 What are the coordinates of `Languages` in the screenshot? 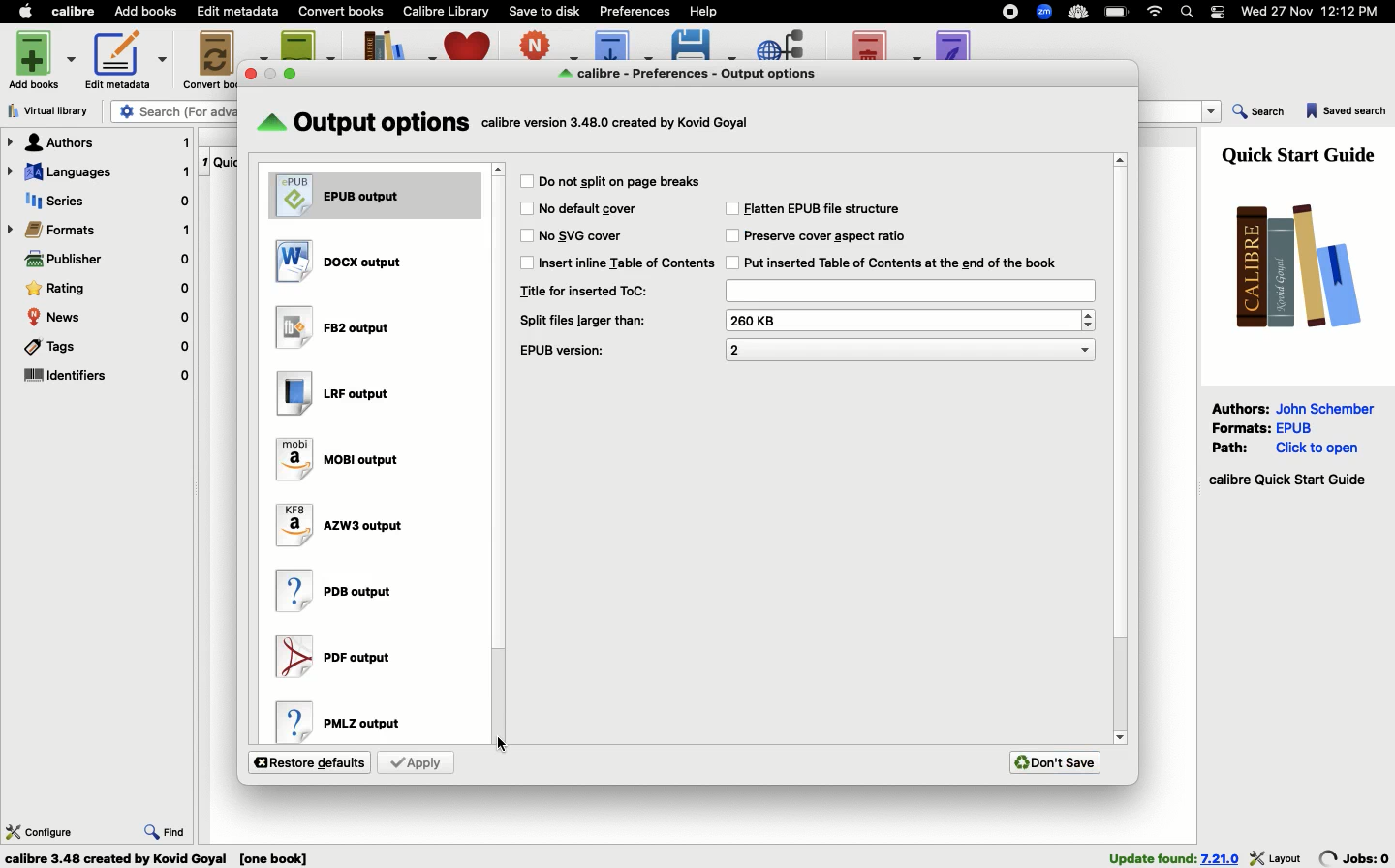 It's located at (98, 173).